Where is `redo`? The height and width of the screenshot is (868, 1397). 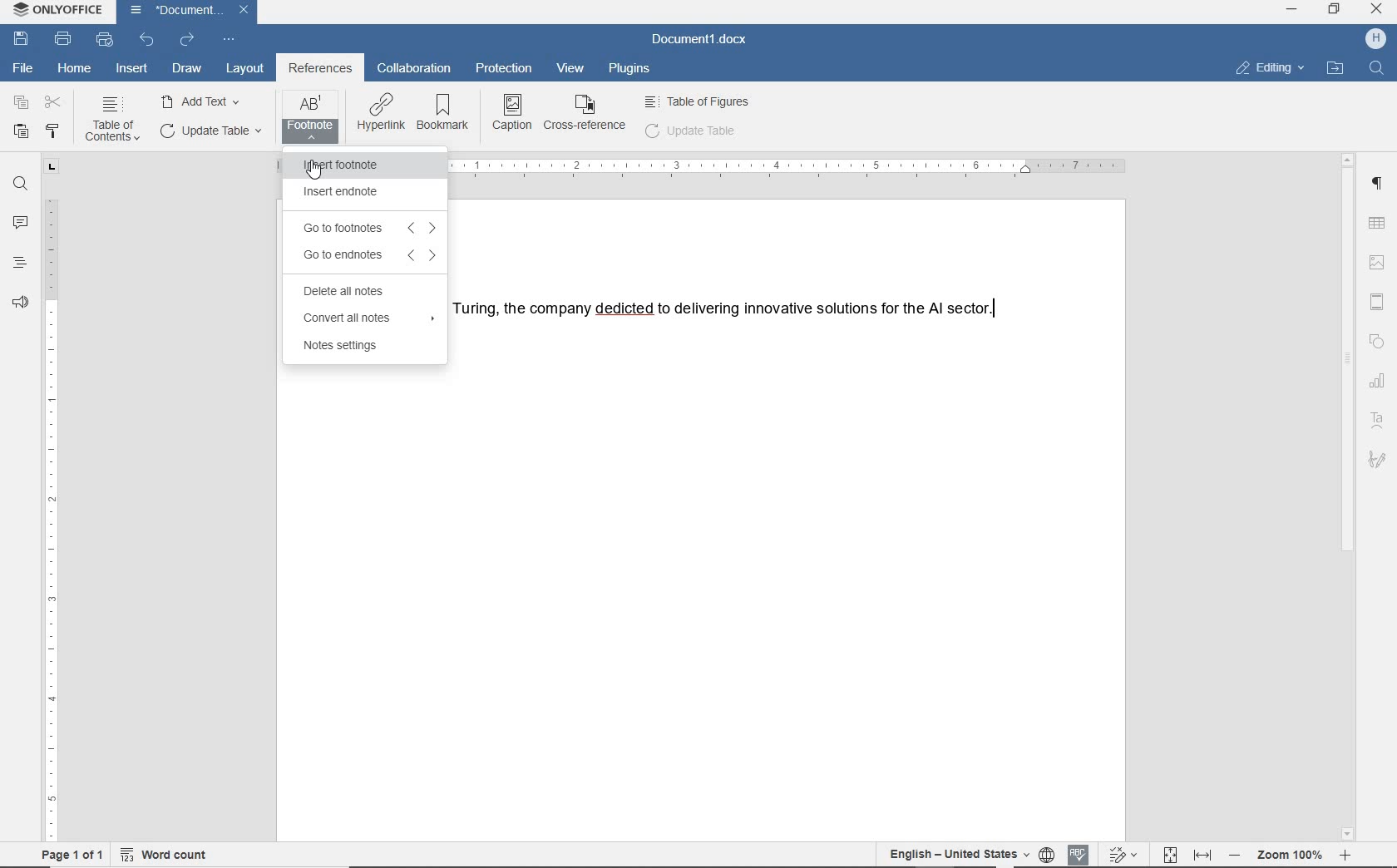 redo is located at coordinates (187, 42).